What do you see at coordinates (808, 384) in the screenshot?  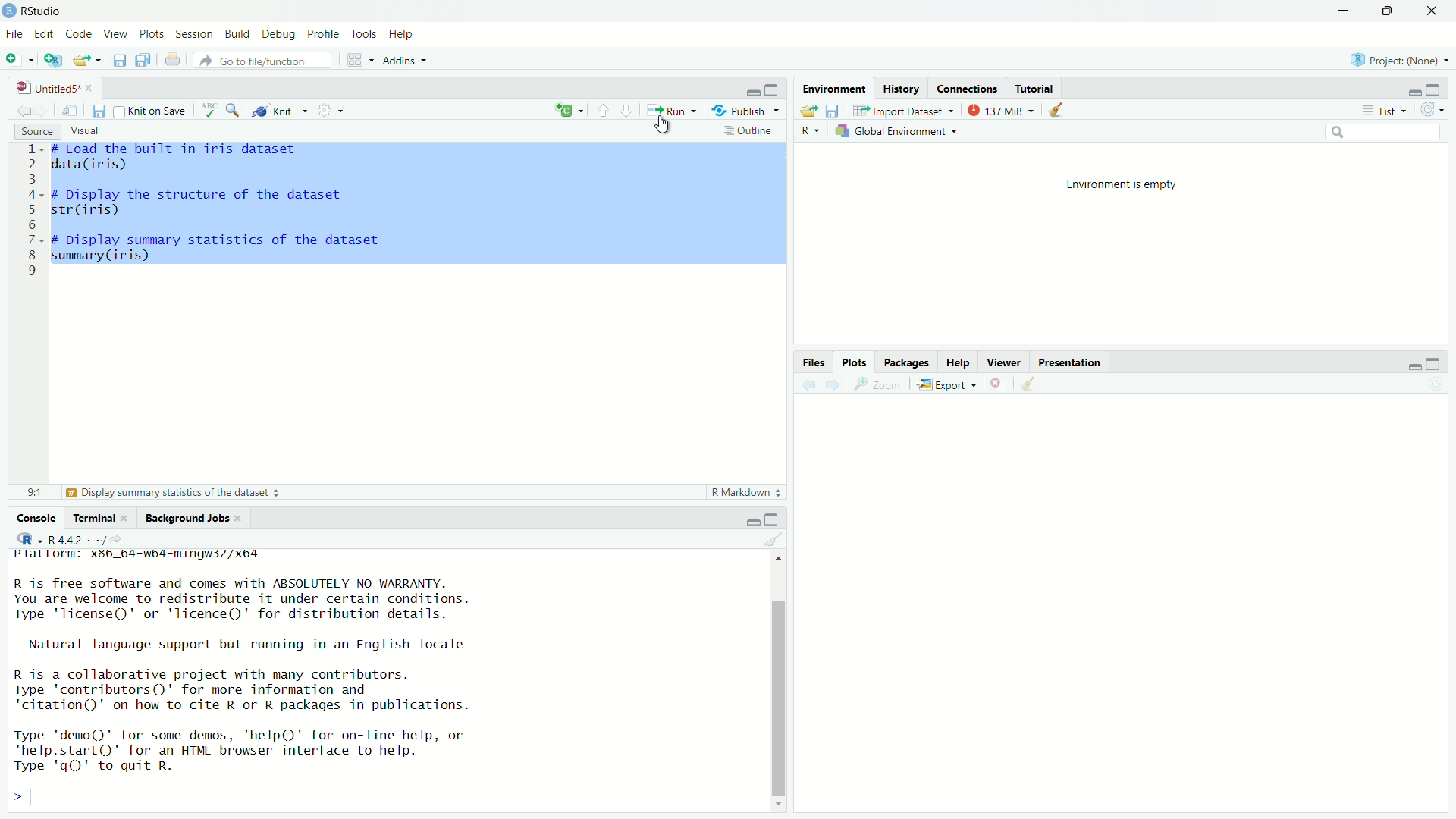 I see `Previous plot` at bounding box center [808, 384].